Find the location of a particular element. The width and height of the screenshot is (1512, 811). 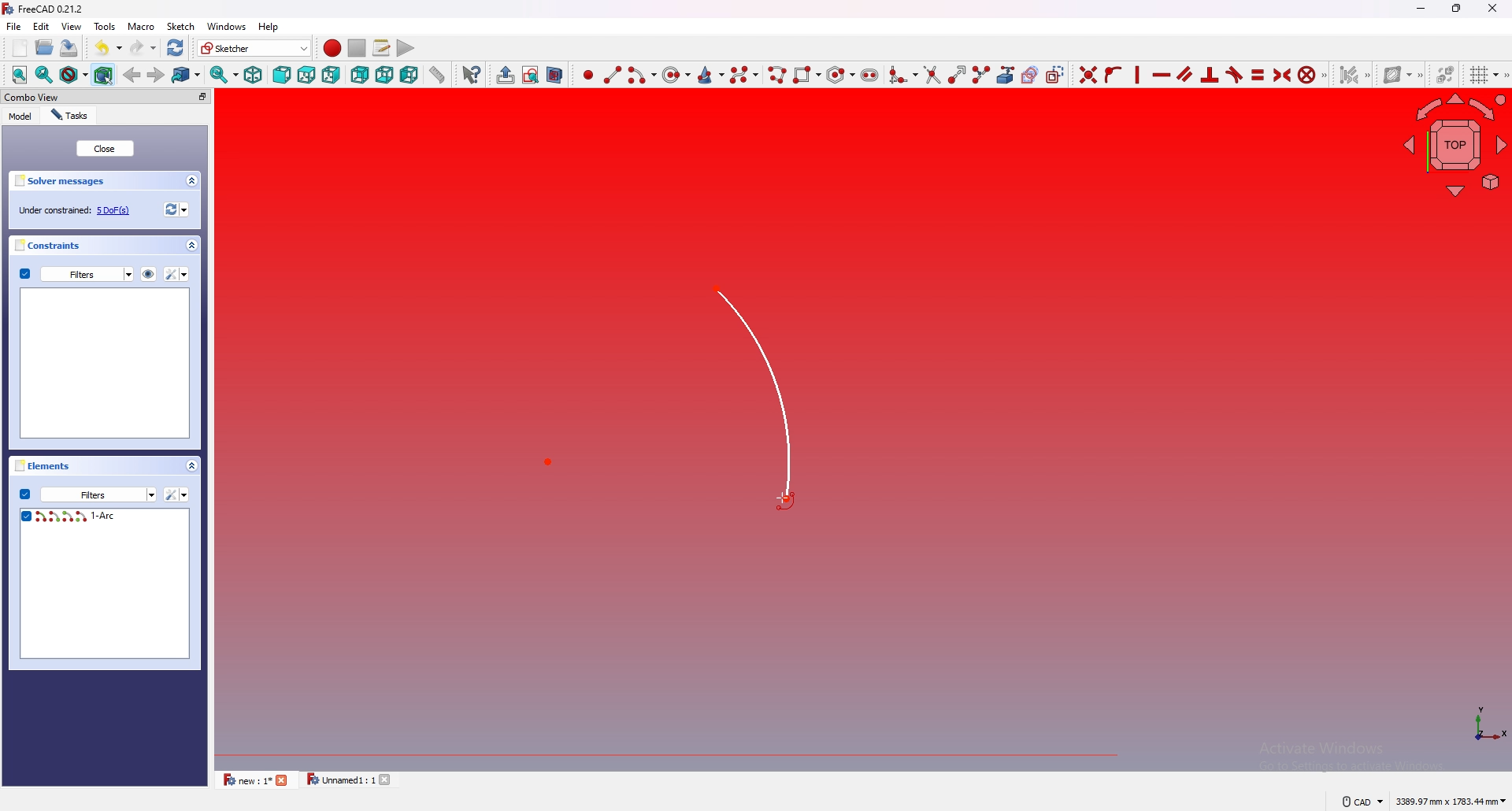

3389.97 mm x 1783.44 mm is located at coordinates (1450, 801).